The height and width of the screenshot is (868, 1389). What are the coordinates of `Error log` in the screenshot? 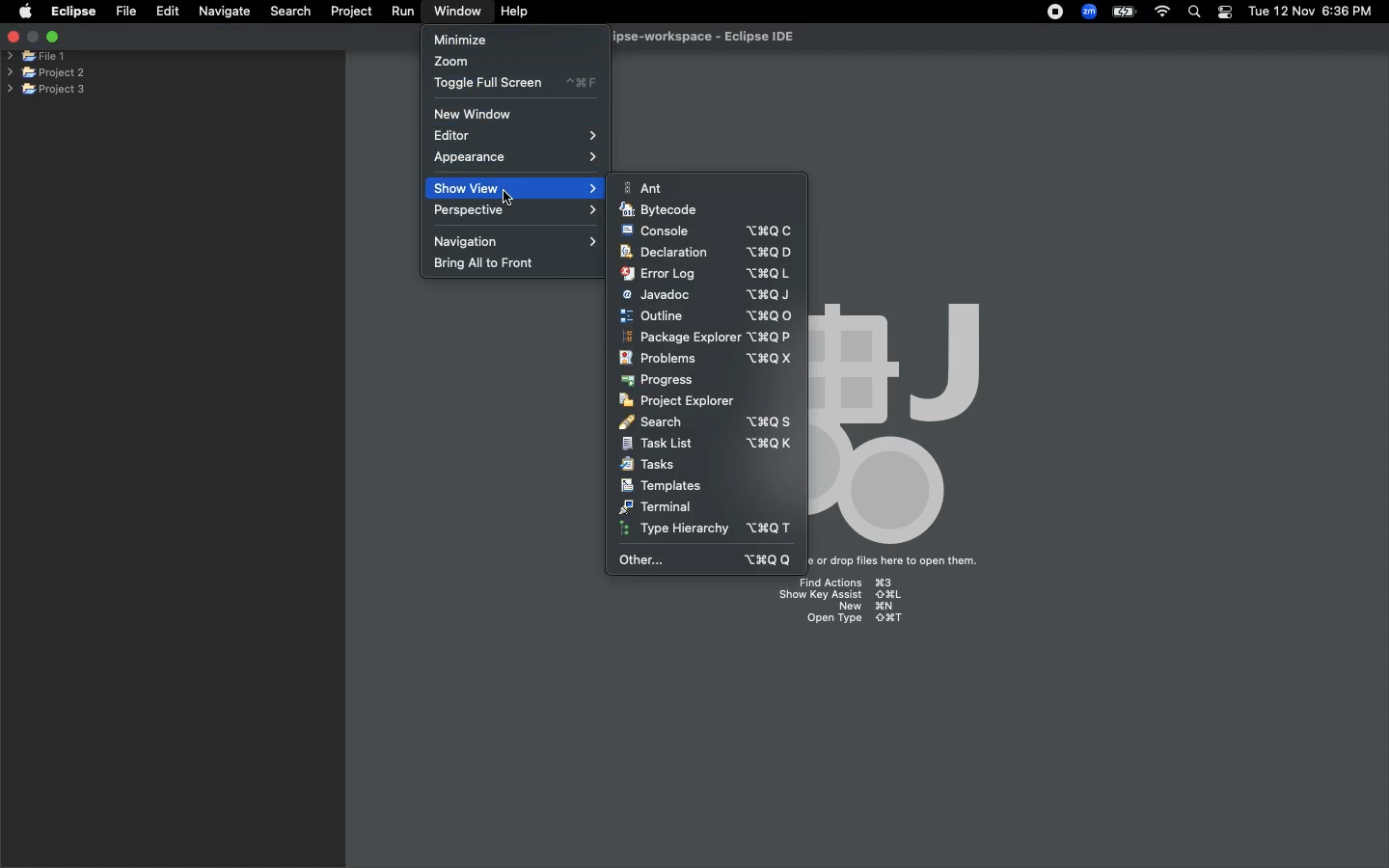 It's located at (705, 273).